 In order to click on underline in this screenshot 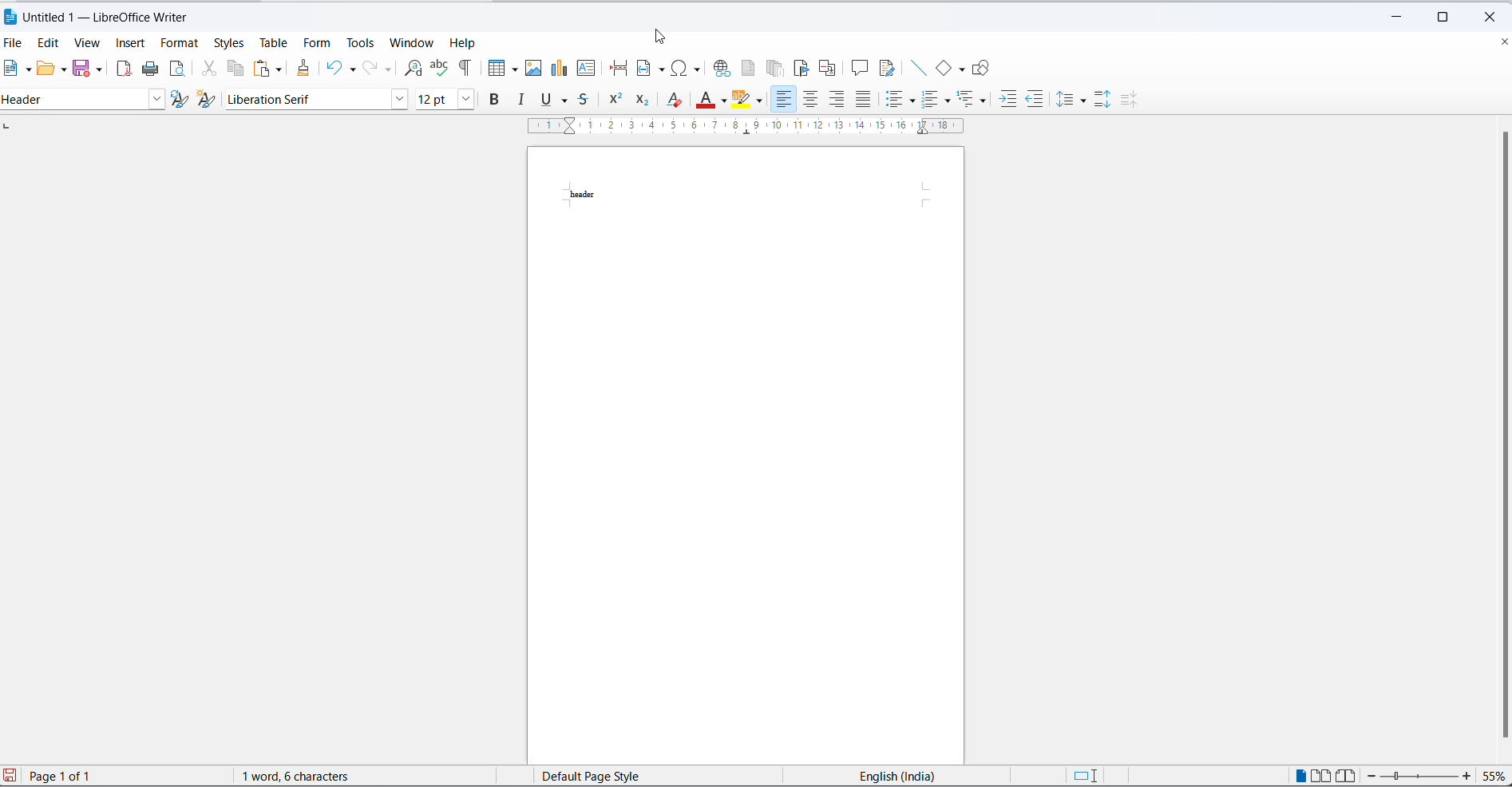, I will do `click(544, 100)`.